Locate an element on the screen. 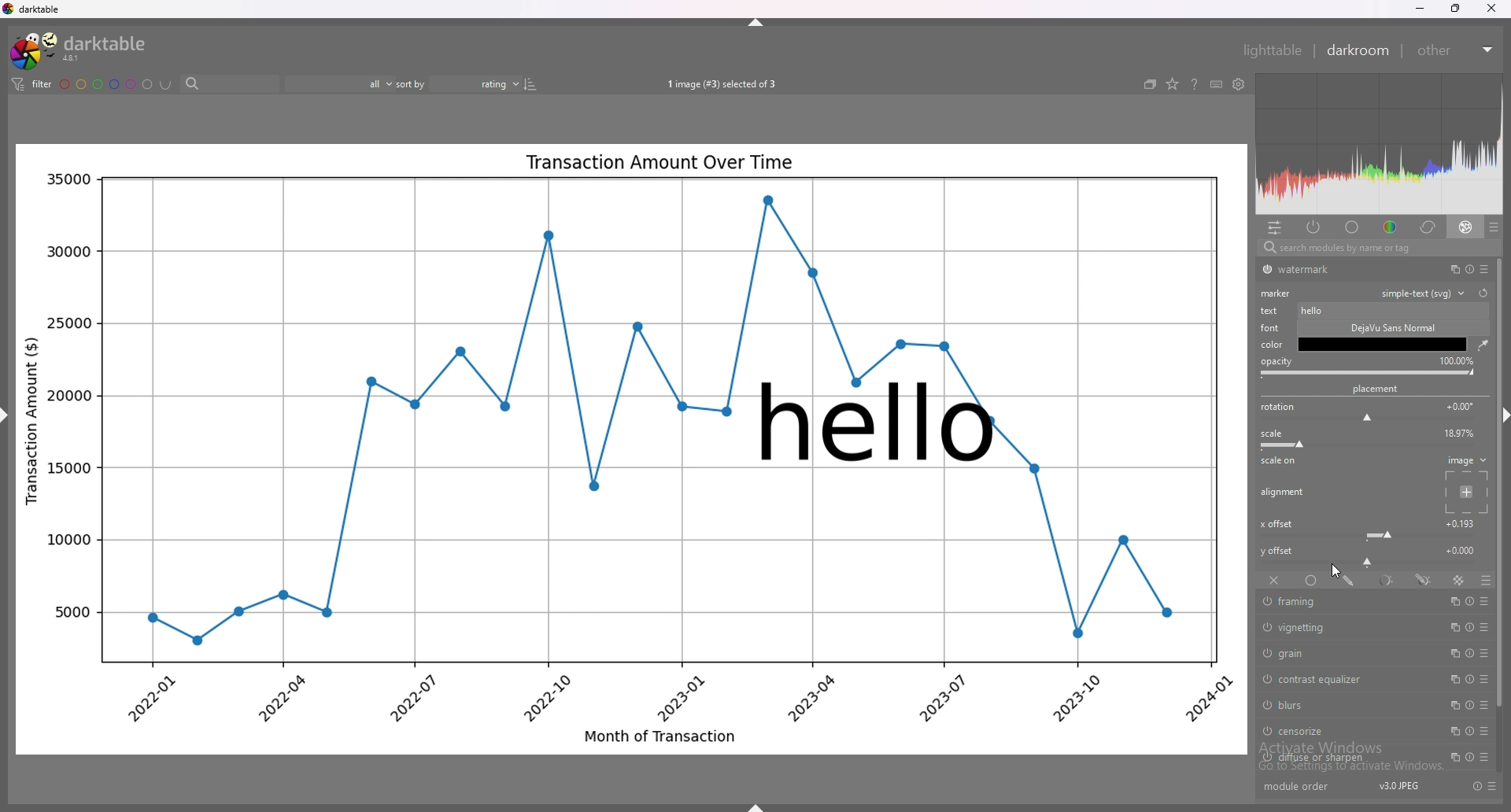  censorize is located at coordinates (1339, 730).